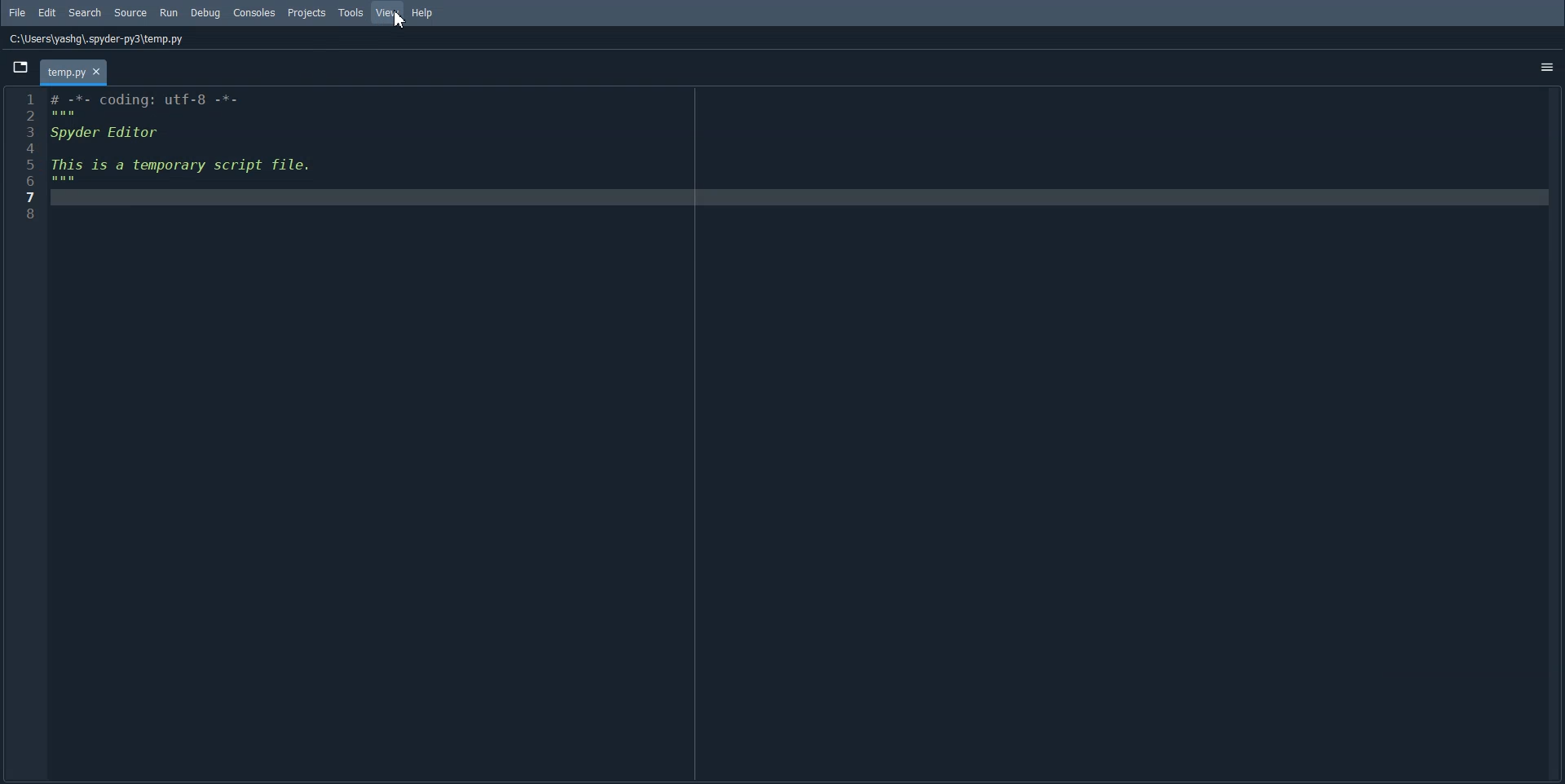 The image size is (1565, 784). What do you see at coordinates (351, 12) in the screenshot?
I see `Tools` at bounding box center [351, 12].